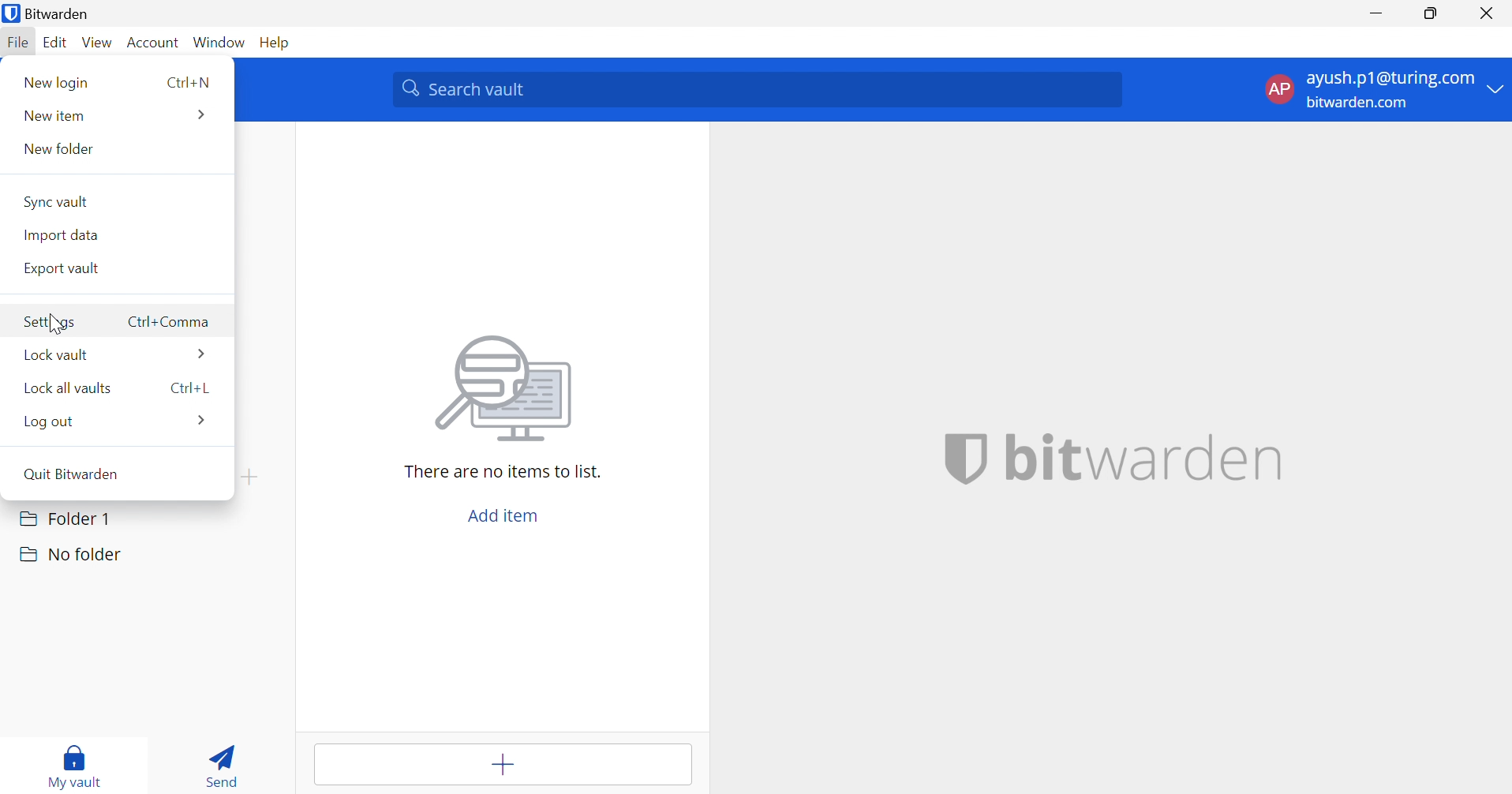 The height and width of the screenshot is (794, 1512). Describe the element at coordinates (204, 354) in the screenshot. I see `More` at that location.